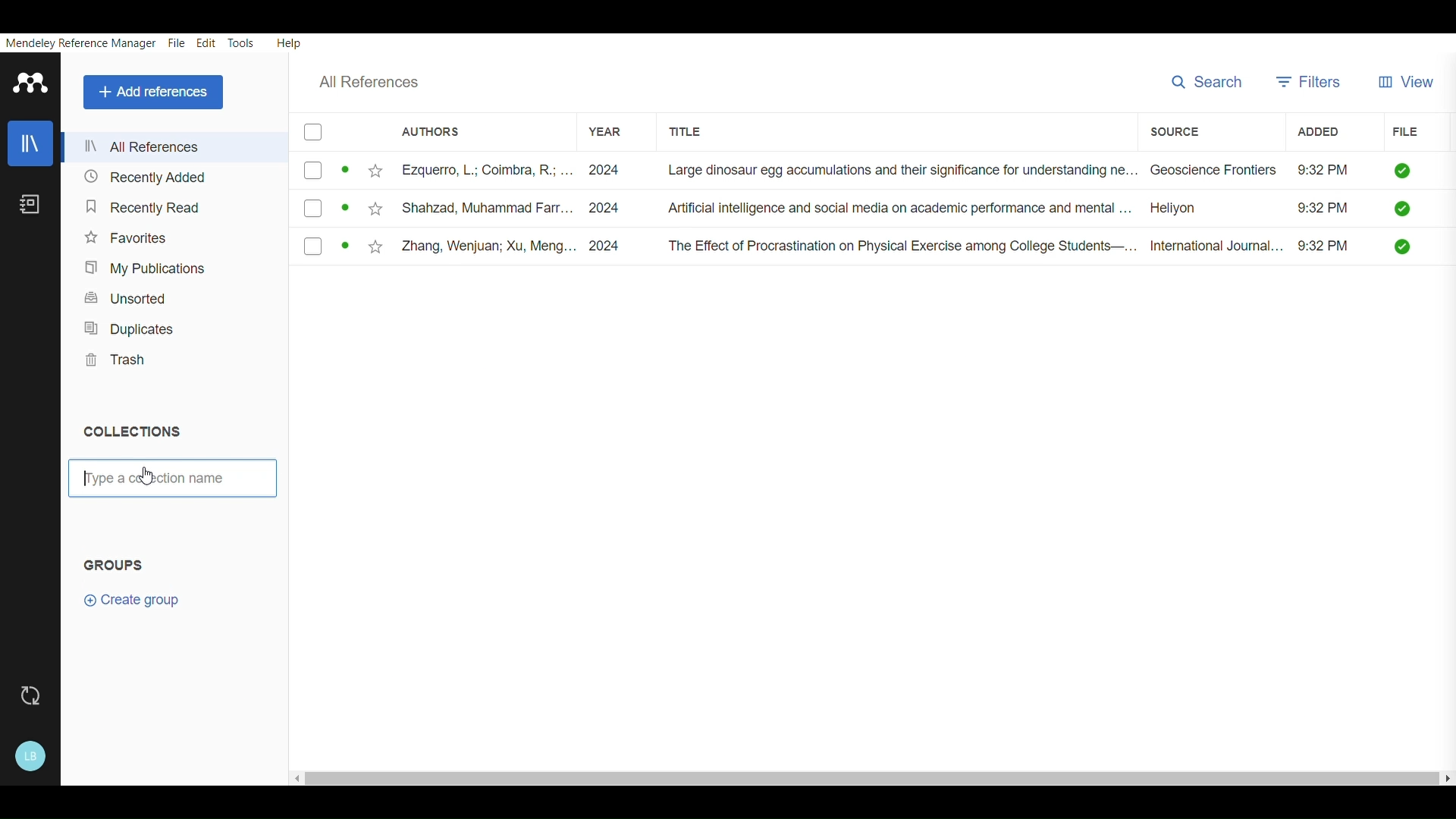  Describe the element at coordinates (241, 42) in the screenshot. I see `Tools` at that location.